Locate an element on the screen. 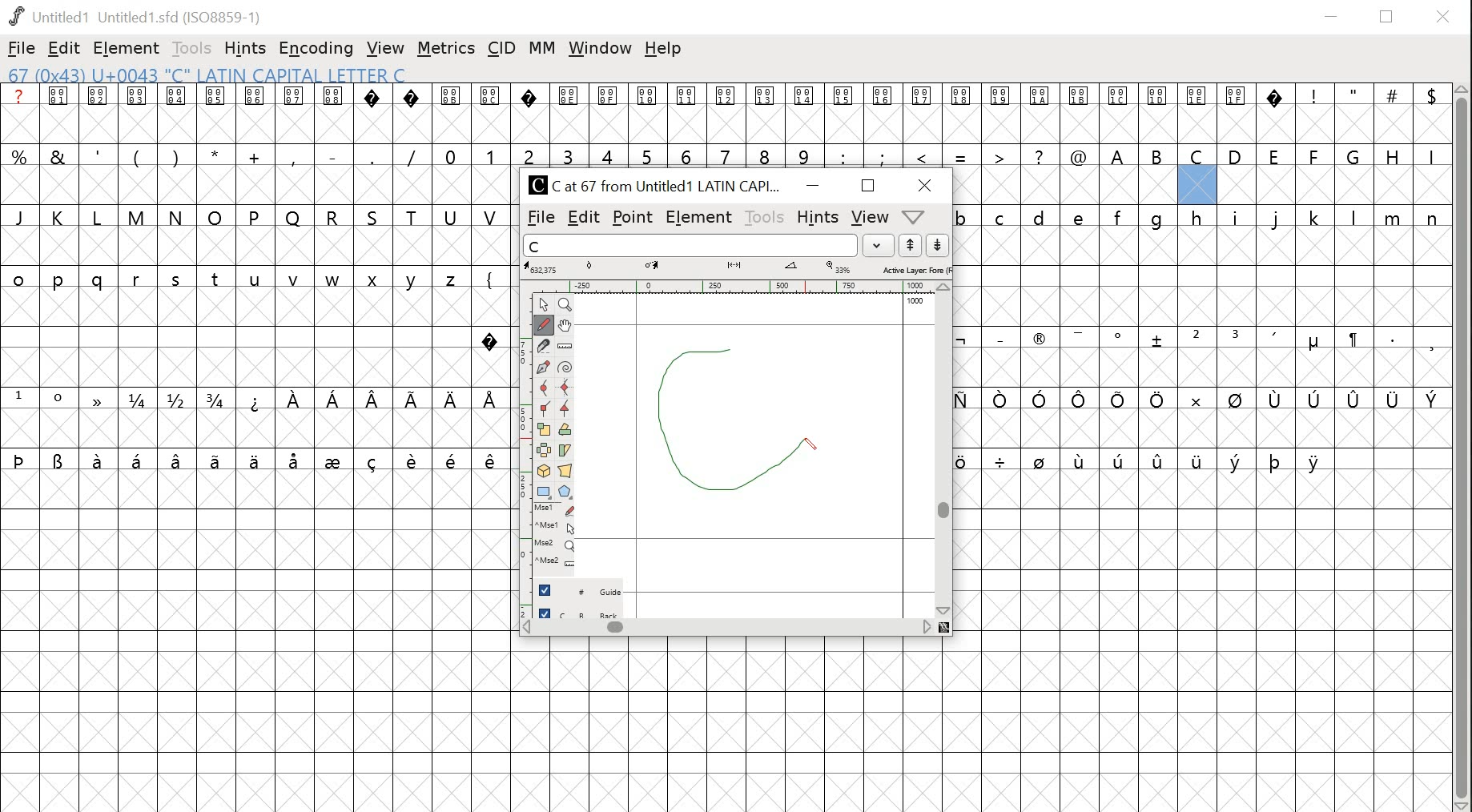 Image resolution: width=1472 pixels, height=812 pixels. guide layer is located at coordinates (582, 589).